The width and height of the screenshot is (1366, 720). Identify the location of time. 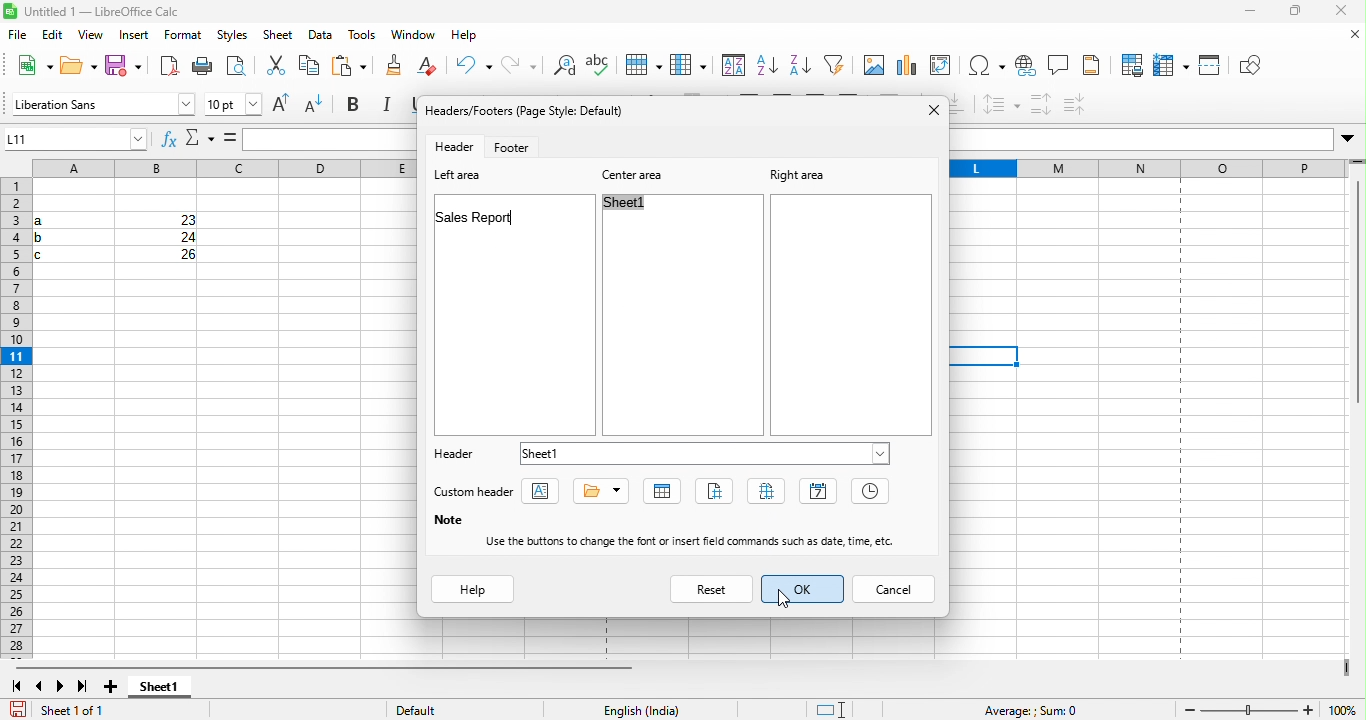
(870, 491).